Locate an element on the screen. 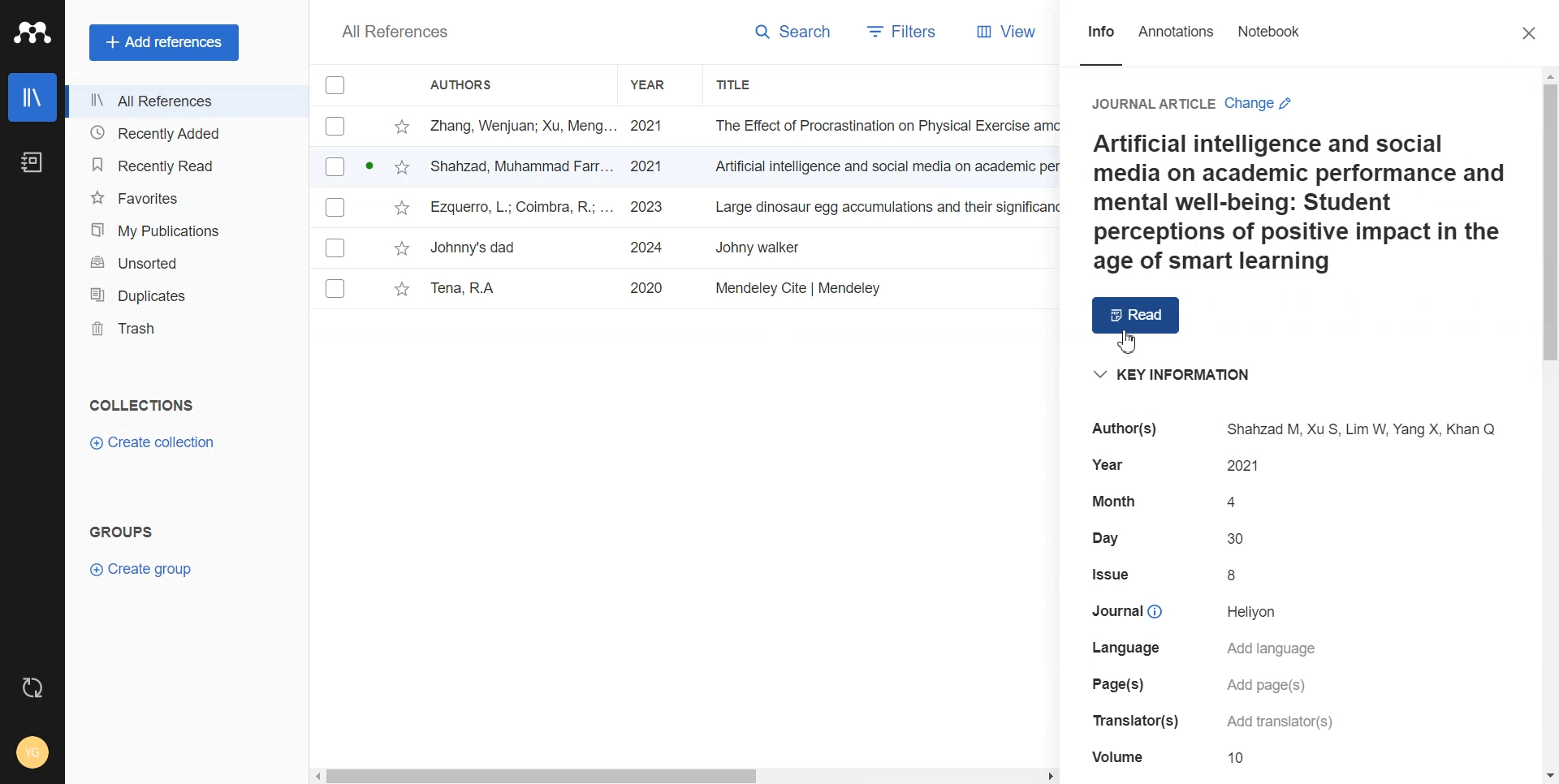  Duplicates is located at coordinates (184, 294).